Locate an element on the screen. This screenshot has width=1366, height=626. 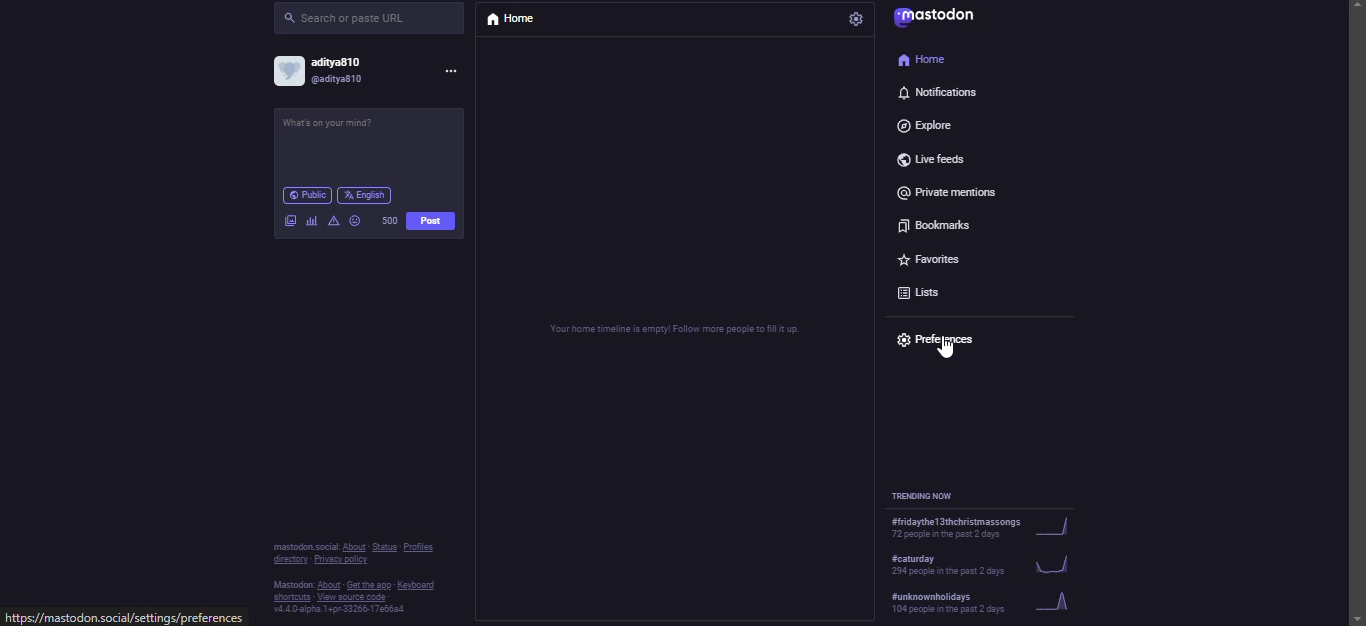
home timeline is located at coordinates (670, 327).